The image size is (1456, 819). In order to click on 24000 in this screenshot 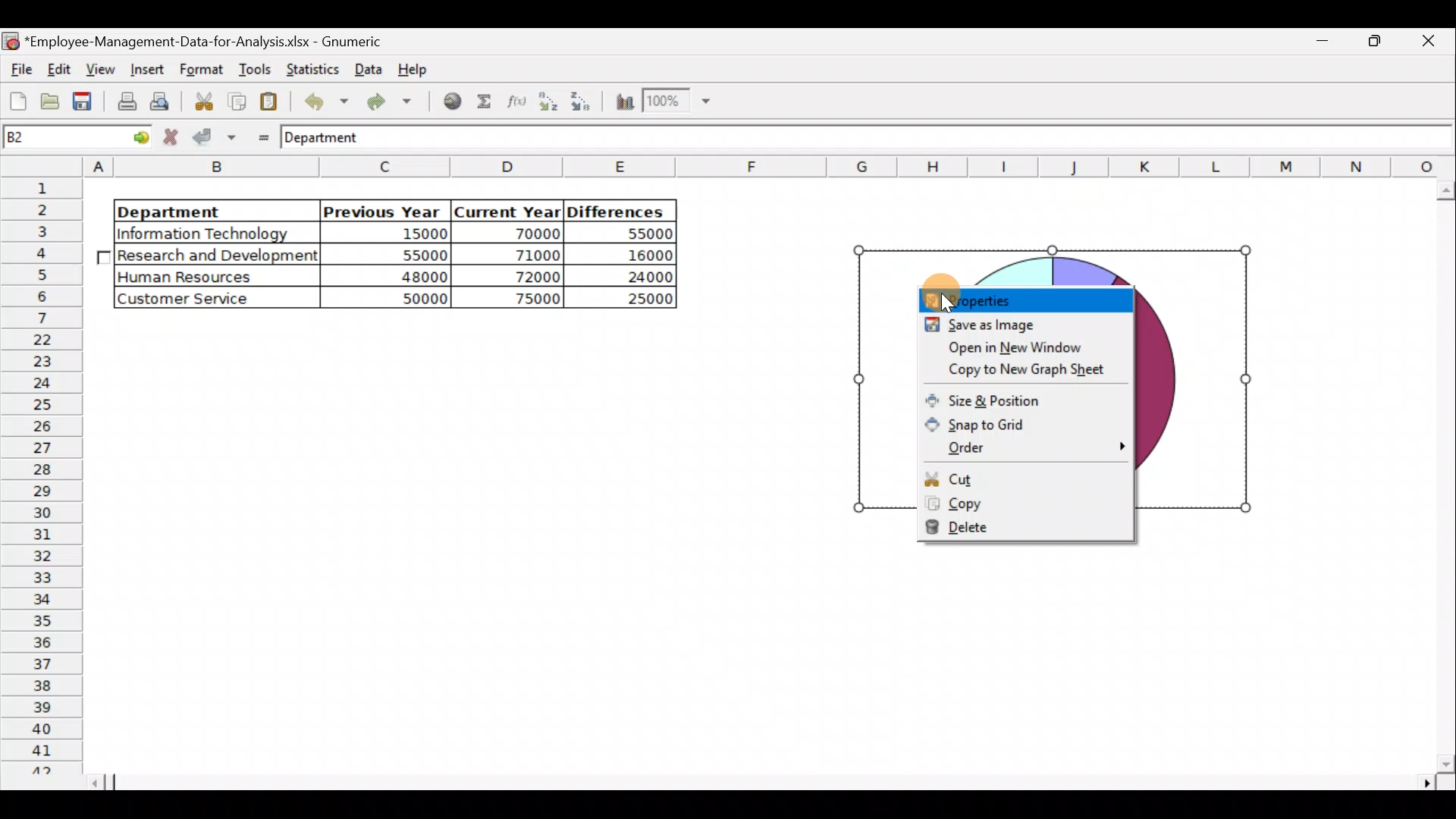, I will do `click(632, 277)`.